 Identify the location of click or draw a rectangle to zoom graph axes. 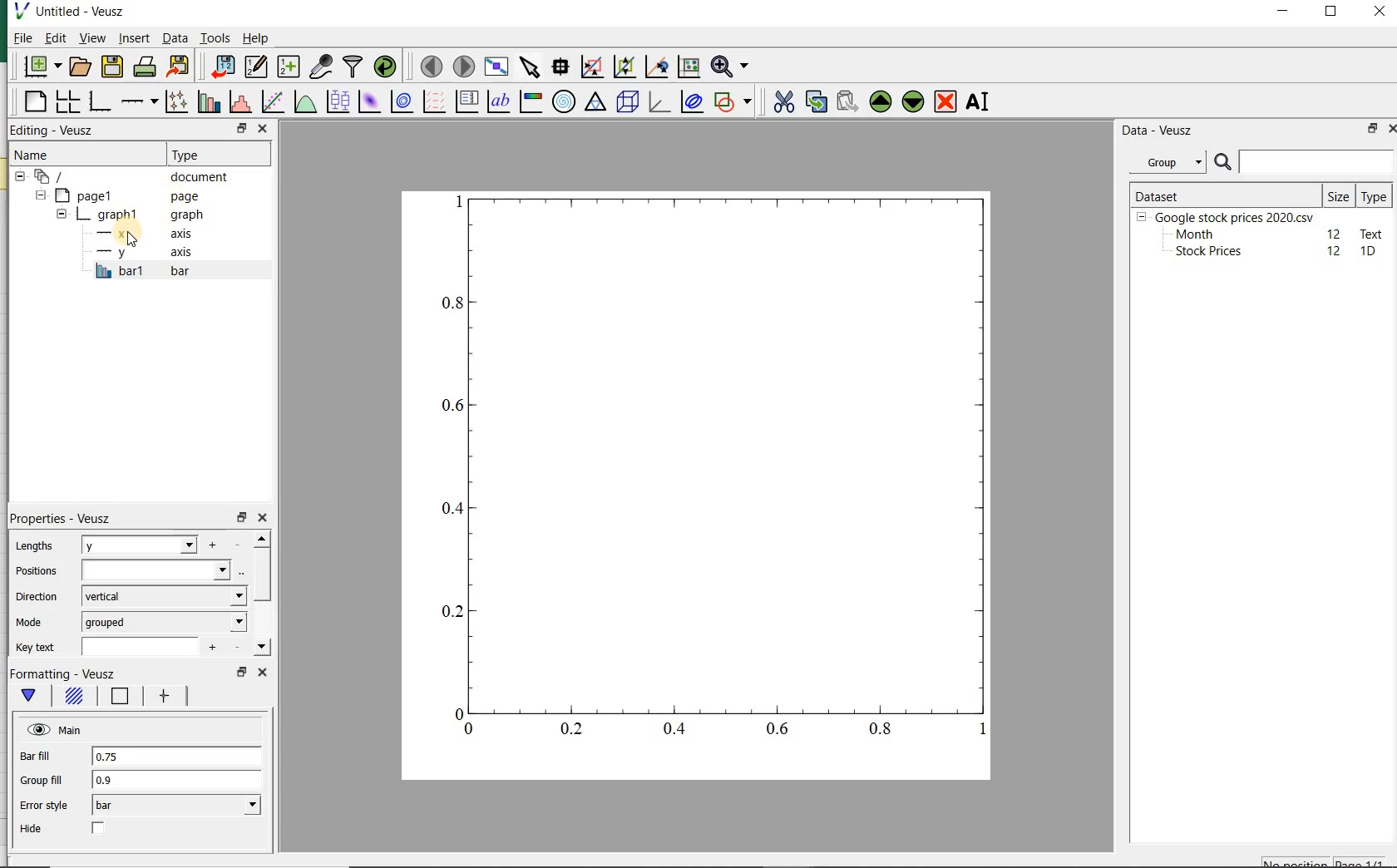
(591, 67).